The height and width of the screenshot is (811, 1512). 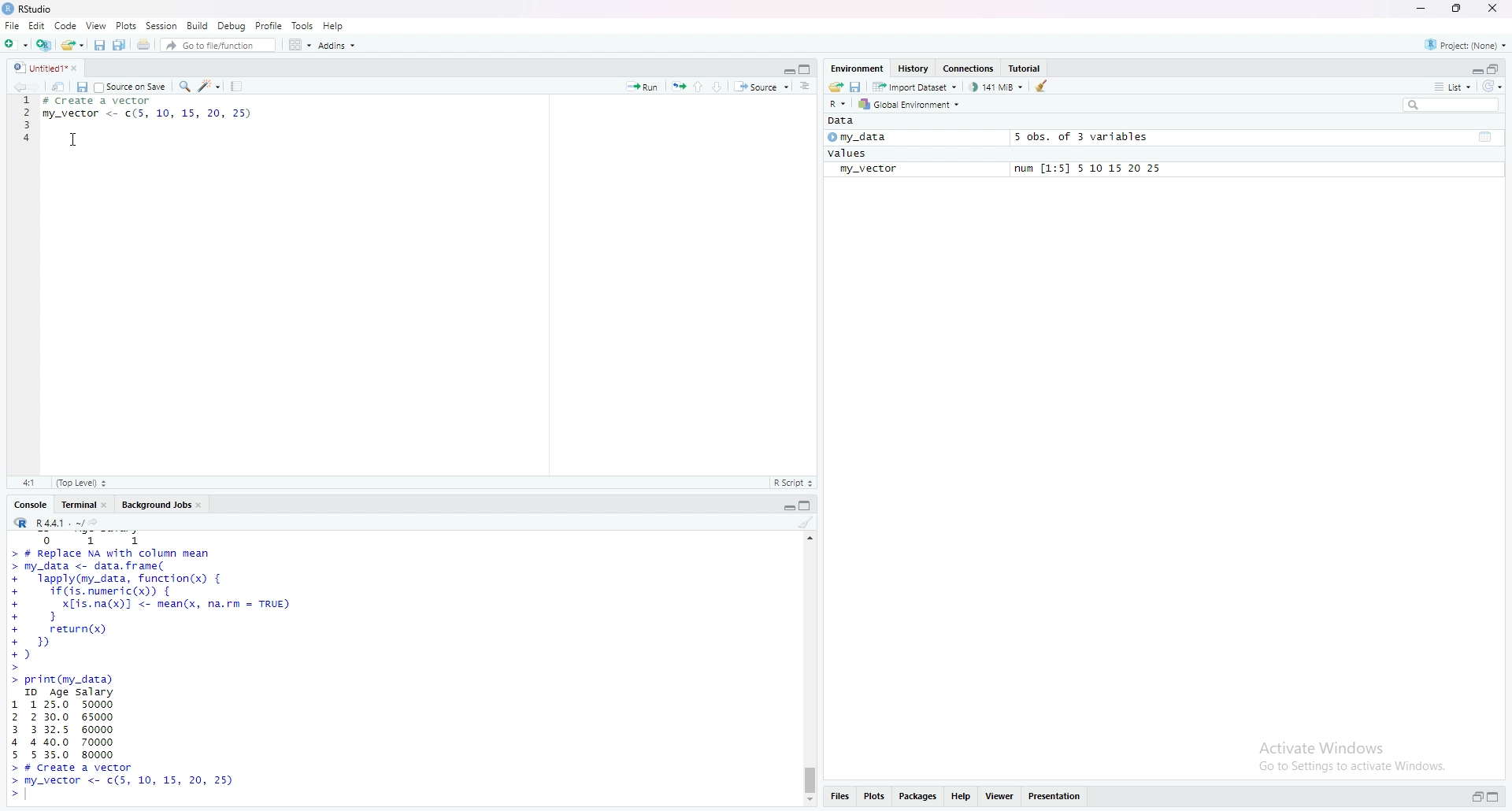 What do you see at coordinates (836, 87) in the screenshot?
I see `load workspace` at bounding box center [836, 87].